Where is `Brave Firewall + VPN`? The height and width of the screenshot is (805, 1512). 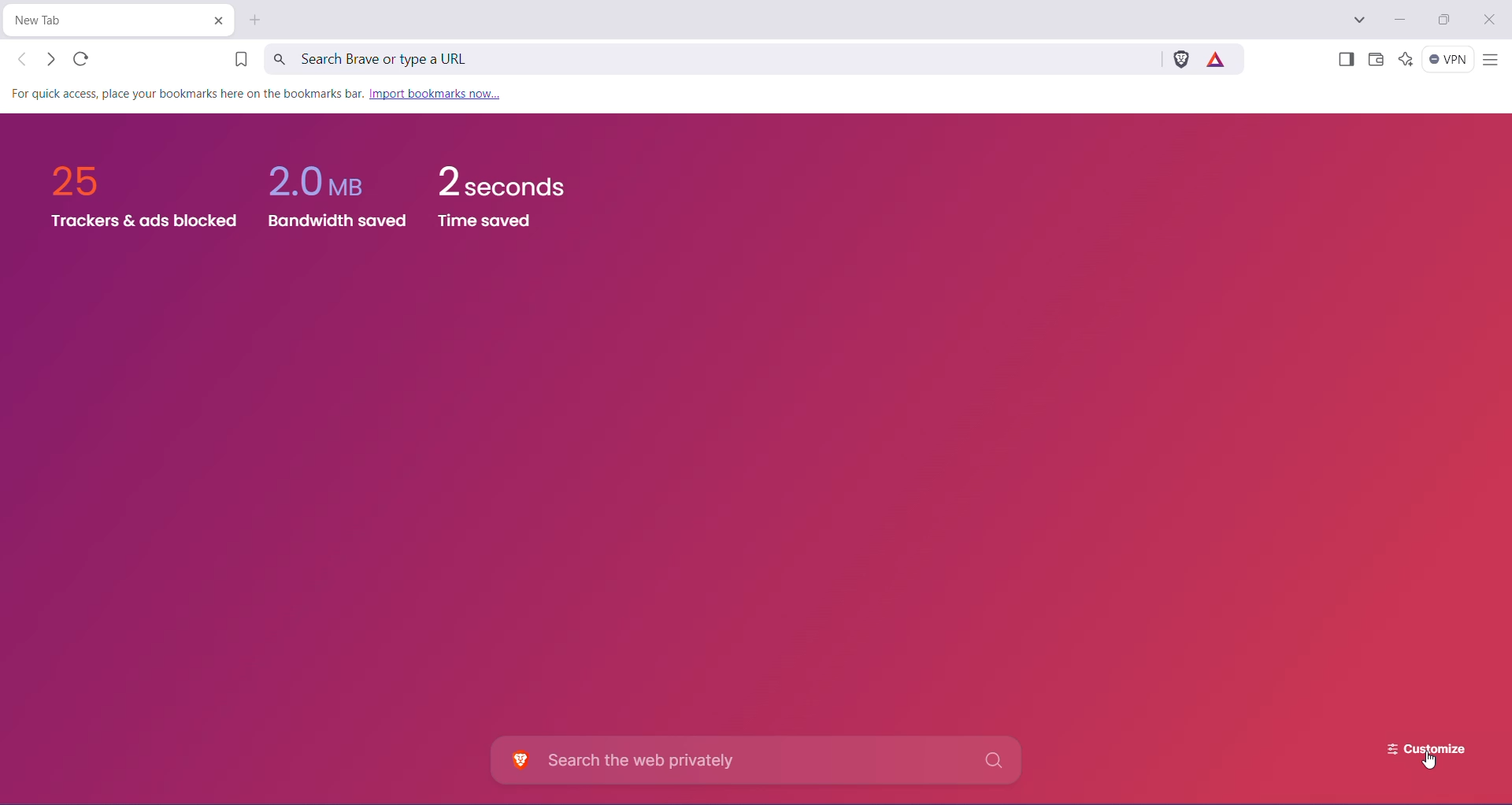 Brave Firewall + VPN is located at coordinates (1448, 59).